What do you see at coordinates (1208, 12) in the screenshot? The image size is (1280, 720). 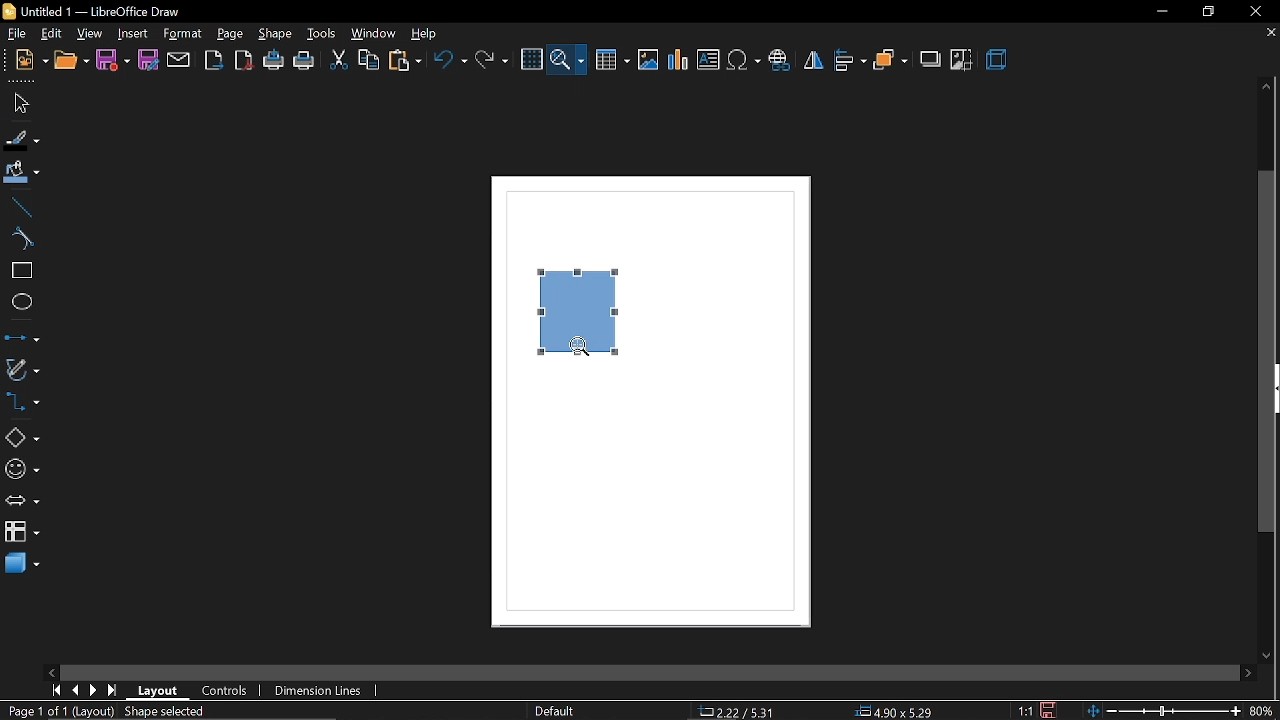 I see `restore down` at bounding box center [1208, 12].